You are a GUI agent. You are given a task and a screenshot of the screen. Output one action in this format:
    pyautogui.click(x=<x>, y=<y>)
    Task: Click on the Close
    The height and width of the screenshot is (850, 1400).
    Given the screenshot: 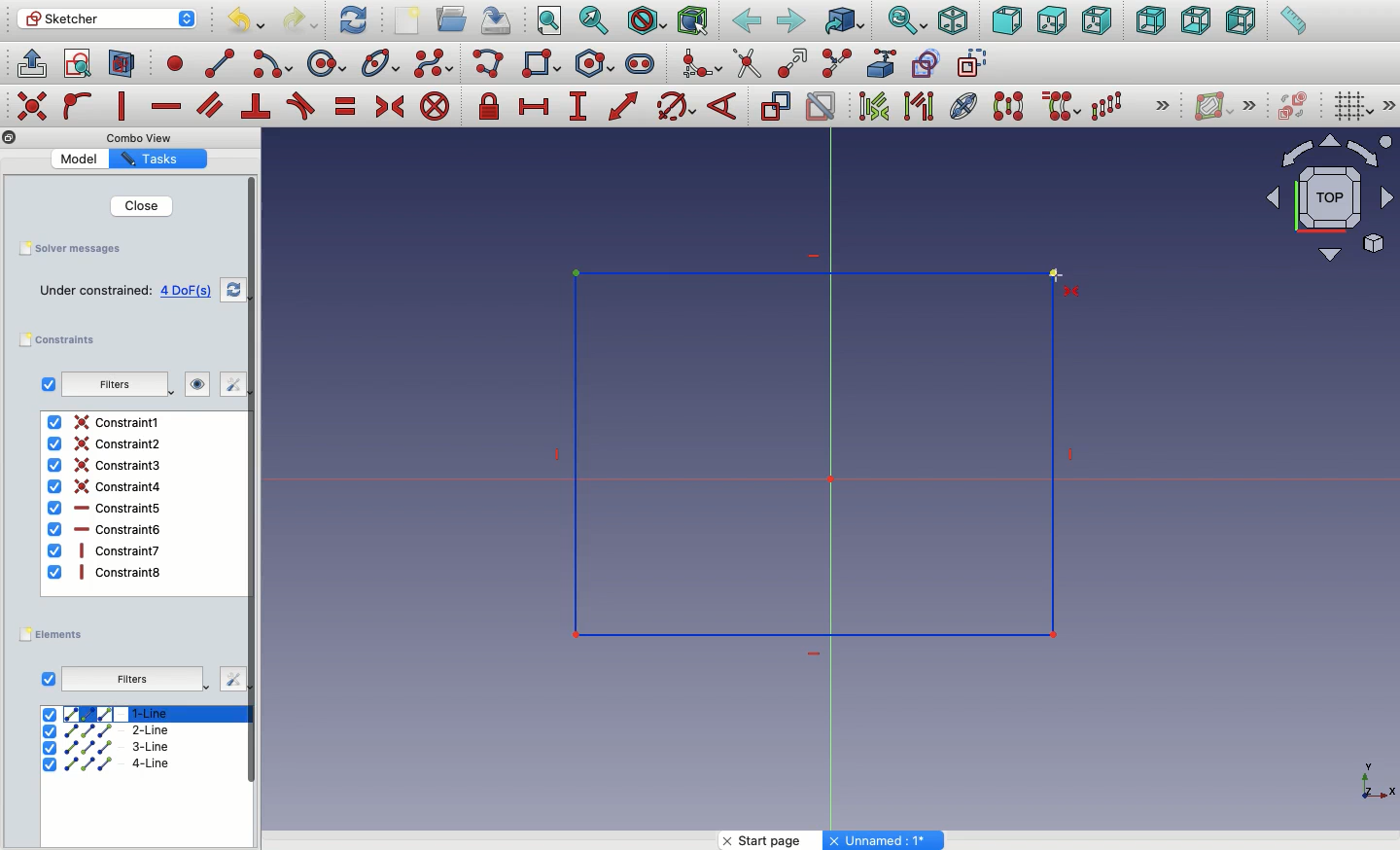 What is the action you would take?
    pyautogui.click(x=129, y=205)
    